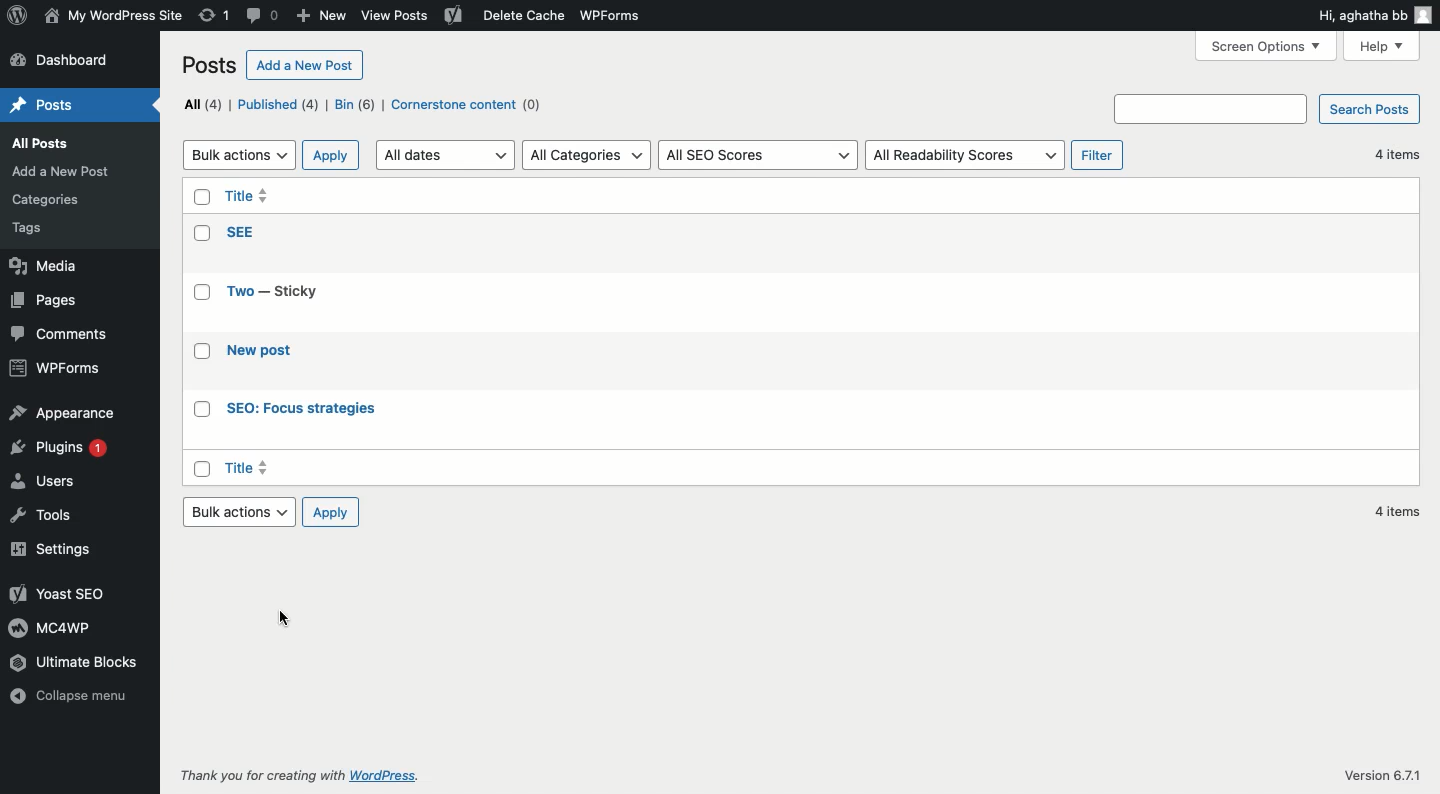 Image resolution: width=1440 pixels, height=794 pixels. Describe the element at coordinates (469, 105) in the screenshot. I see `Cornerstone content` at that location.